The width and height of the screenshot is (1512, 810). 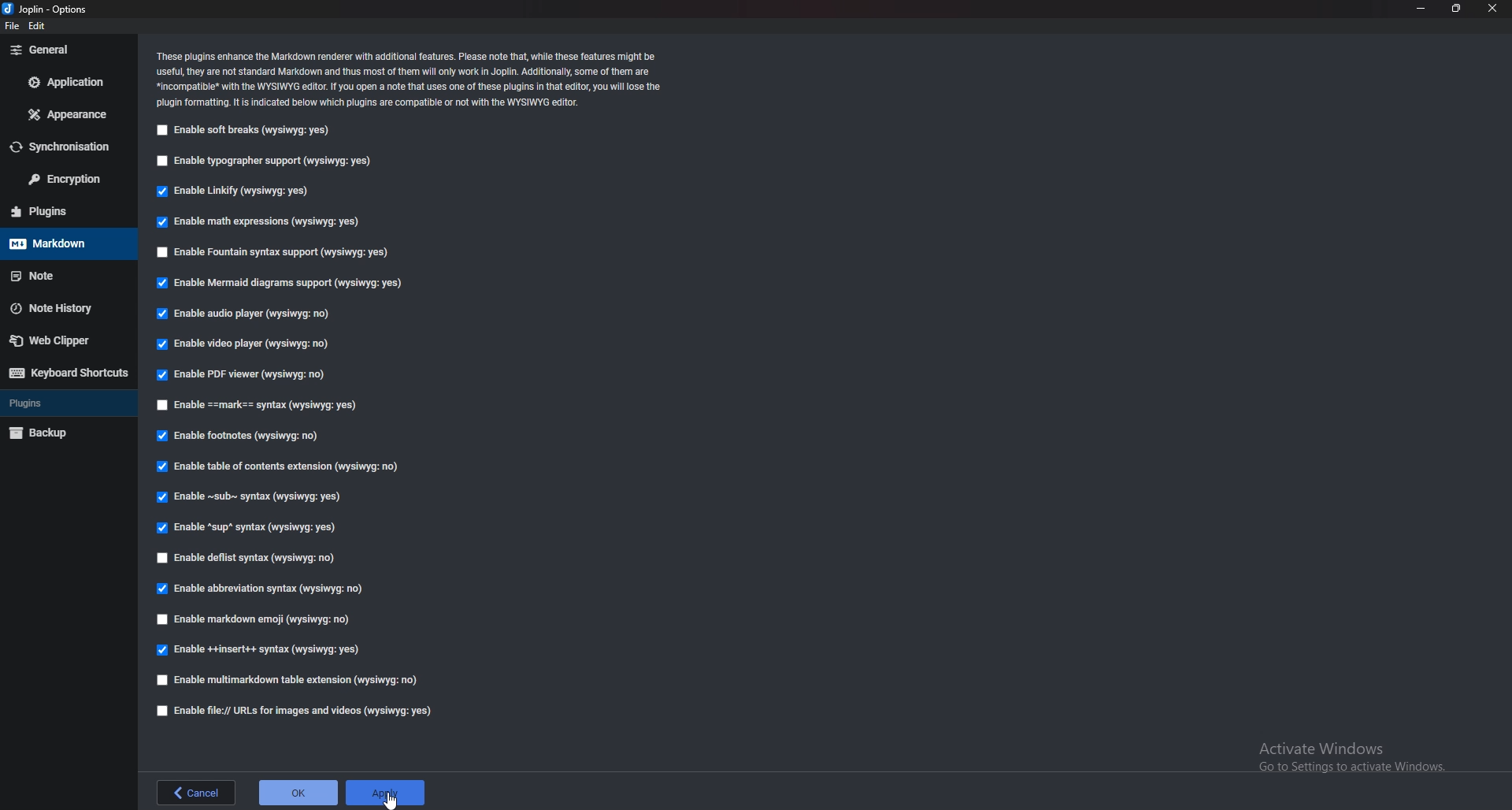 I want to click on enable Mark Syntax, so click(x=261, y=403).